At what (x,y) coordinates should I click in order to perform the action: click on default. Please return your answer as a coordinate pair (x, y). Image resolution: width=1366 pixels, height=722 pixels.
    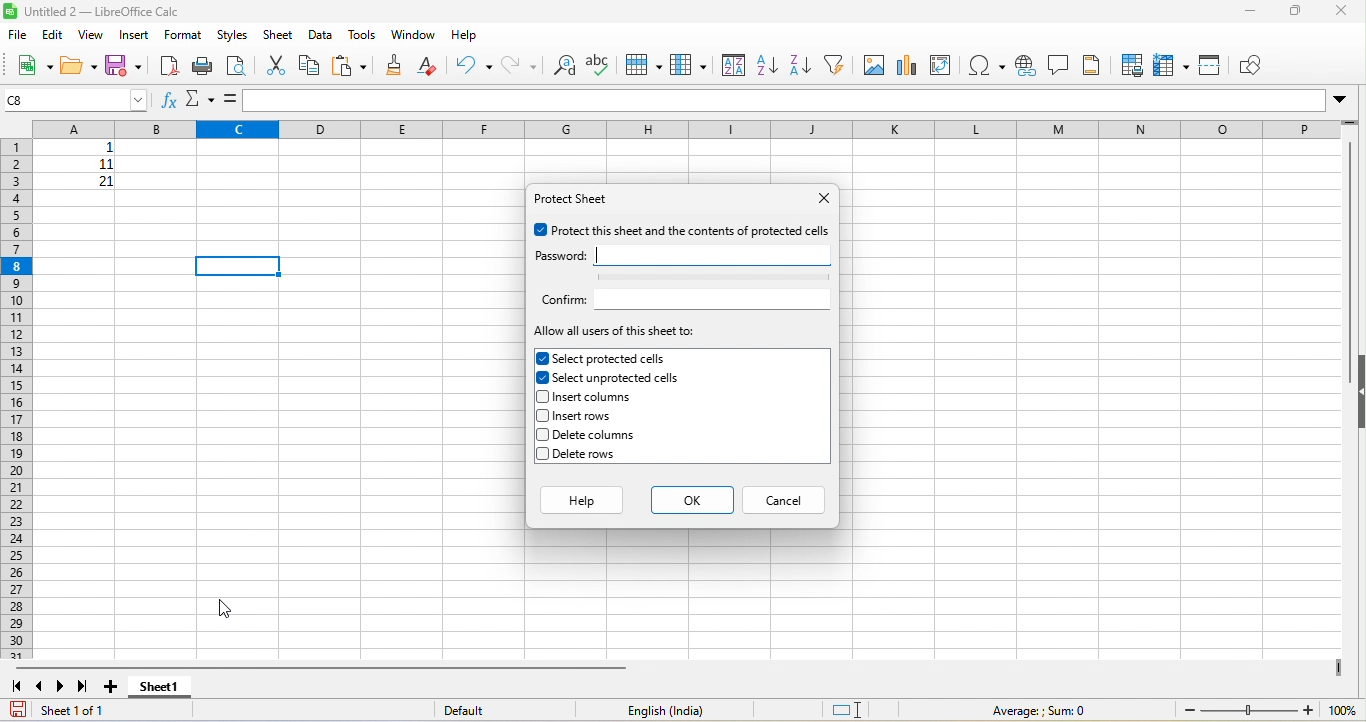
    Looking at the image, I should click on (478, 710).